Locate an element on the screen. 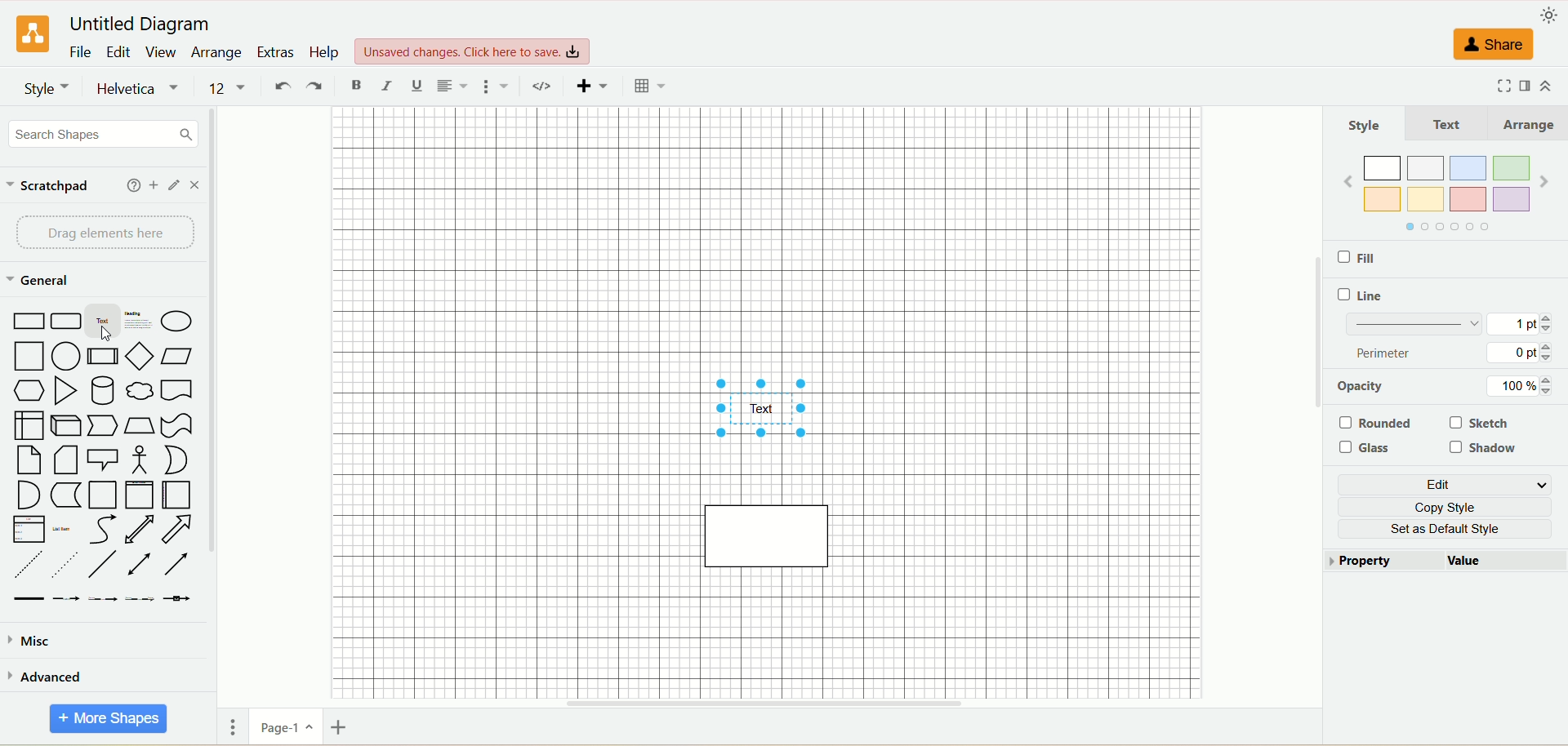 The height and width of the screenshot is (746, 1568). circle is located at coordinates (178, 320).